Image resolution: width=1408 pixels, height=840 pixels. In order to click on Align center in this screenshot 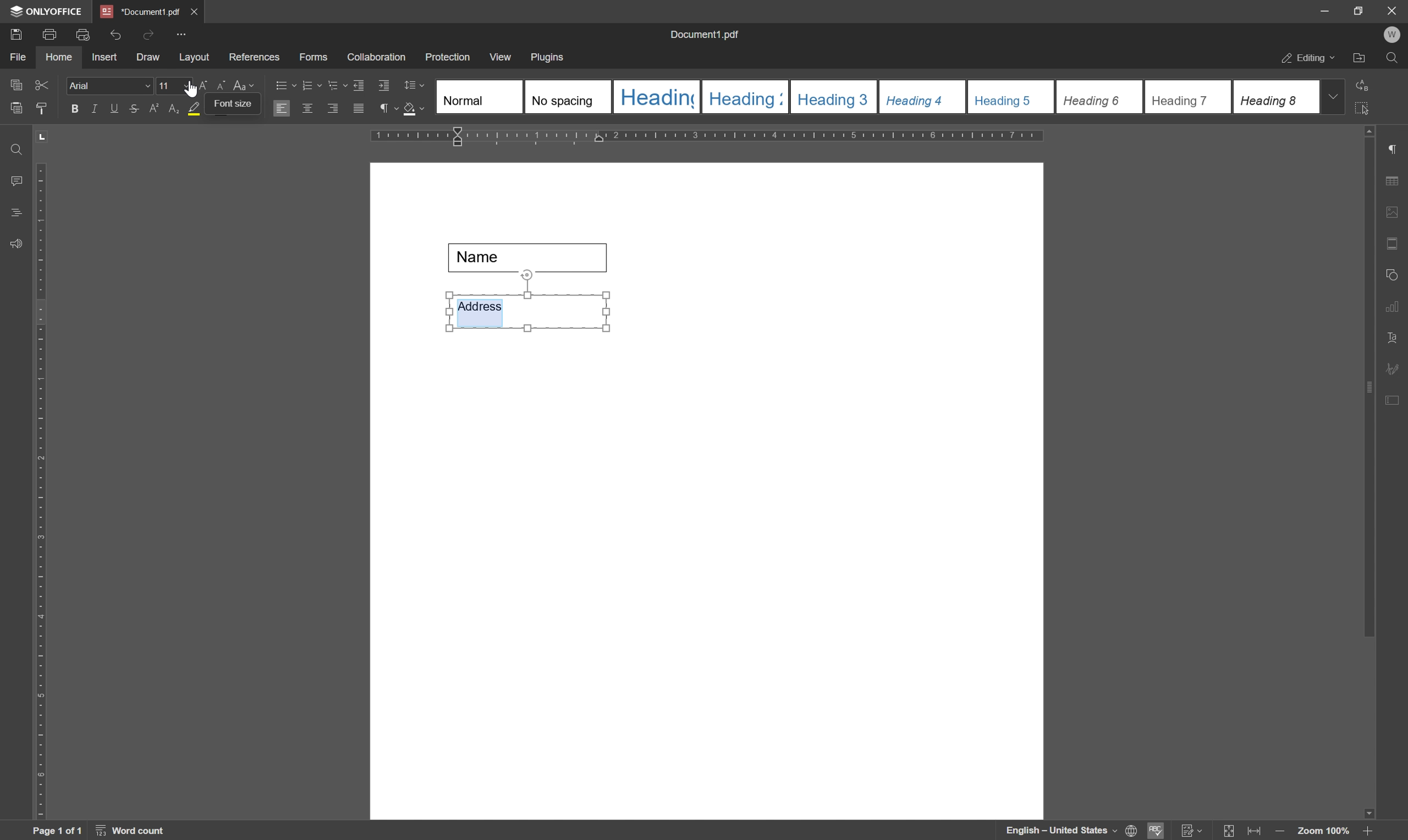, I will do `click(307, 108)`.